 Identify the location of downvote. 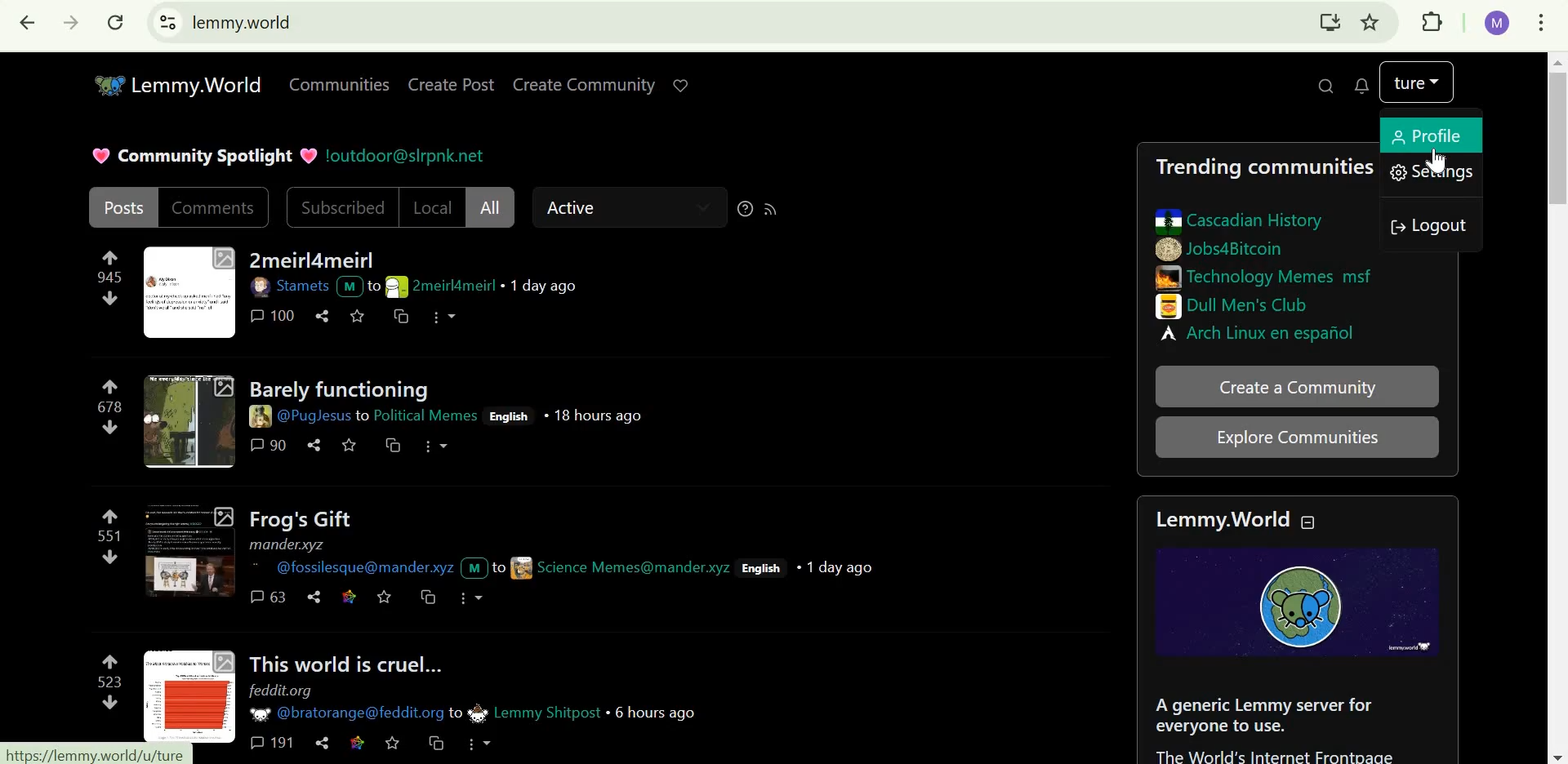
(109, 704).